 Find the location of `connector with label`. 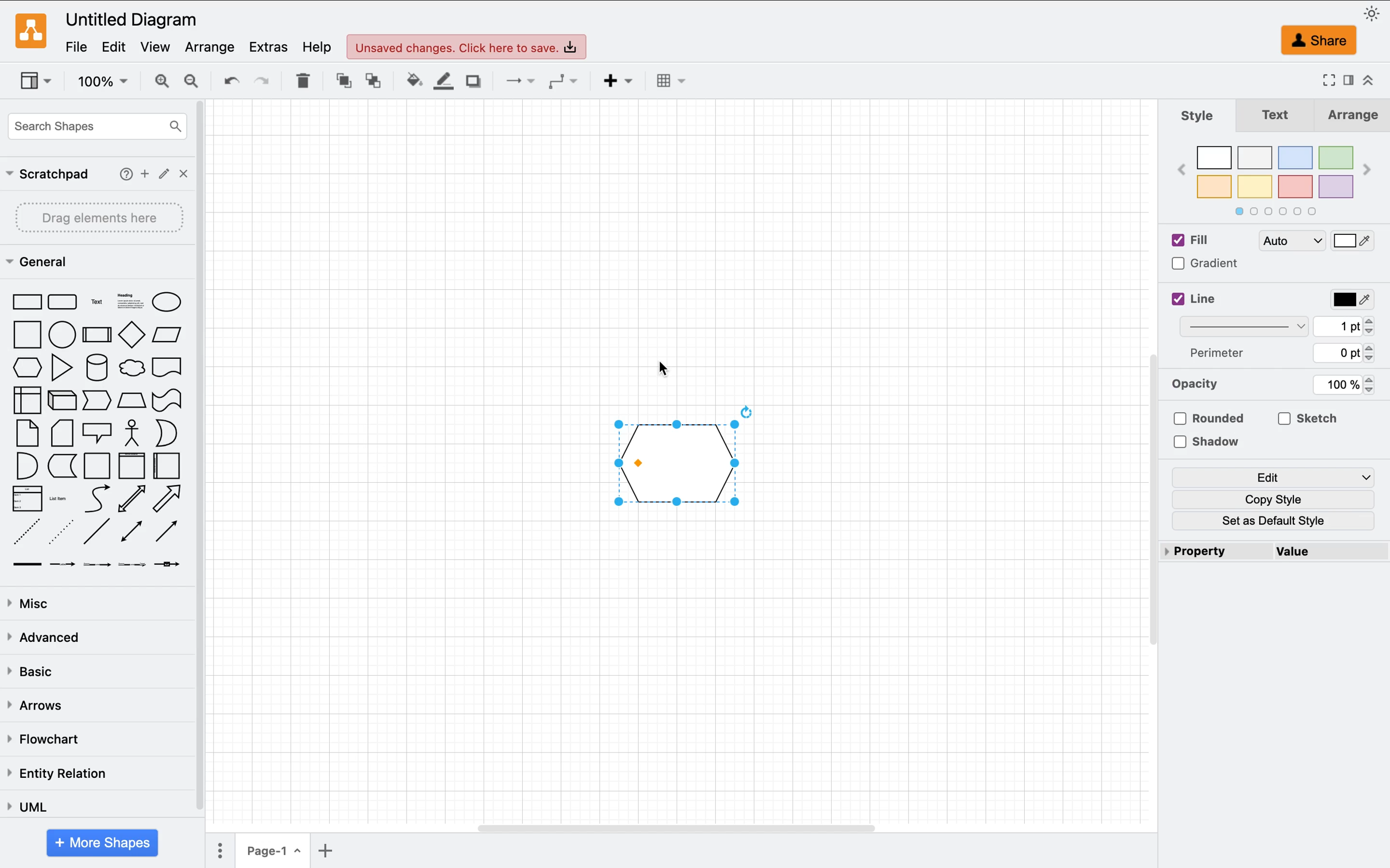

connector with label is located at coordinates (60, 568).